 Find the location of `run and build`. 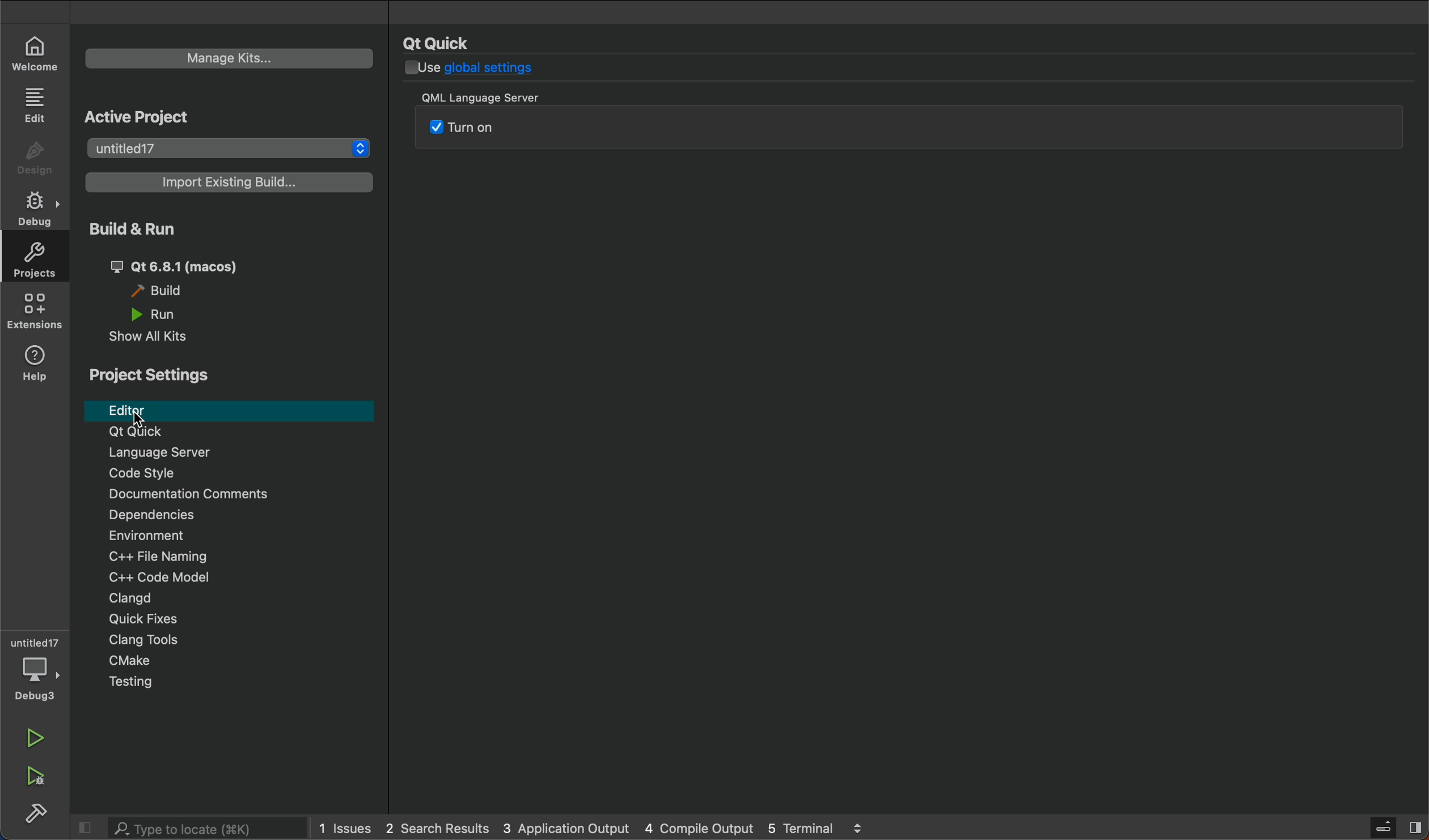

run and build is located at coordinates (39, 778).